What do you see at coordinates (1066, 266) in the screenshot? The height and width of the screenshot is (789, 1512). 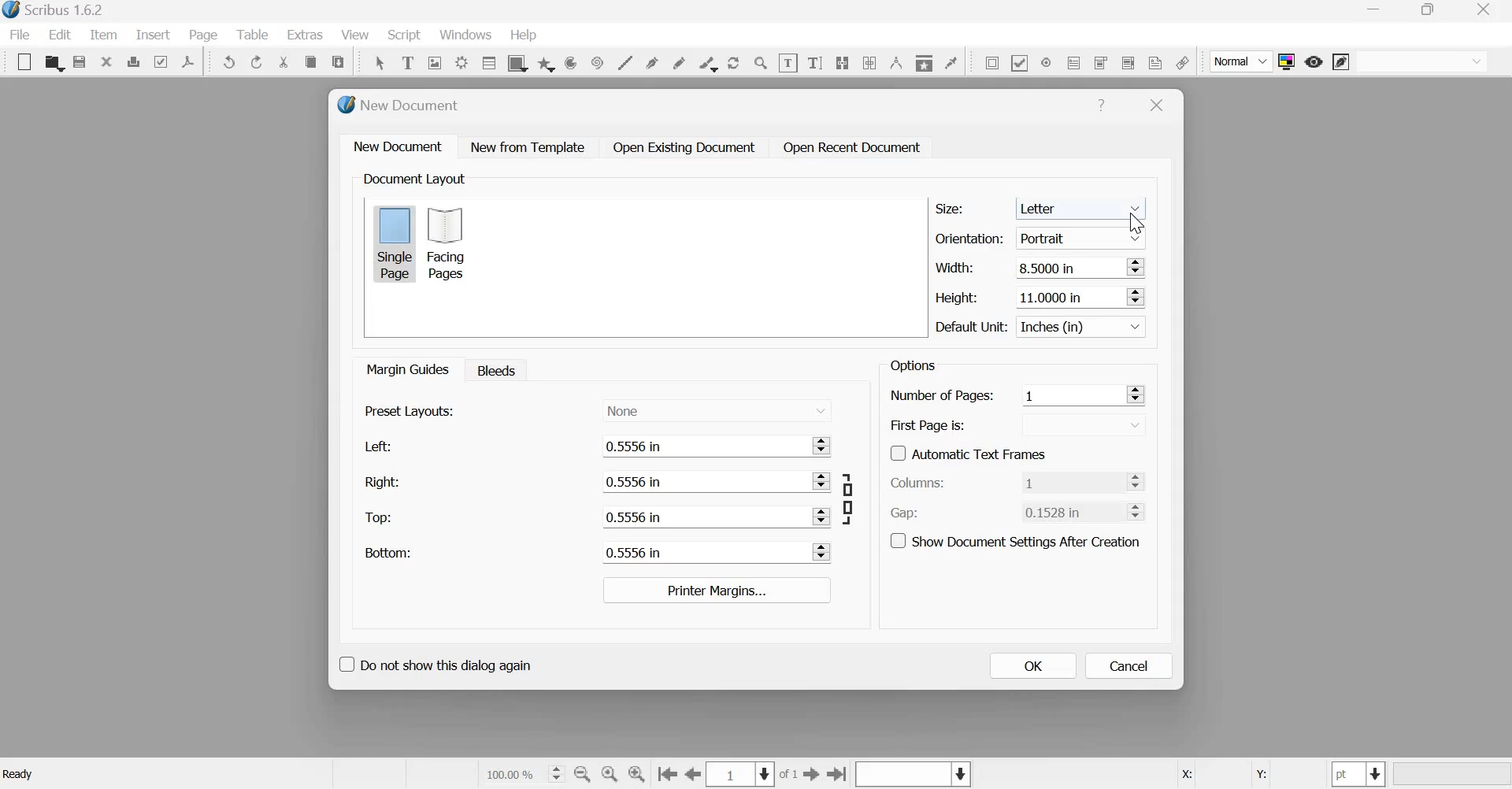 I see `8.5000 in` at bounding box center [1066, 266].